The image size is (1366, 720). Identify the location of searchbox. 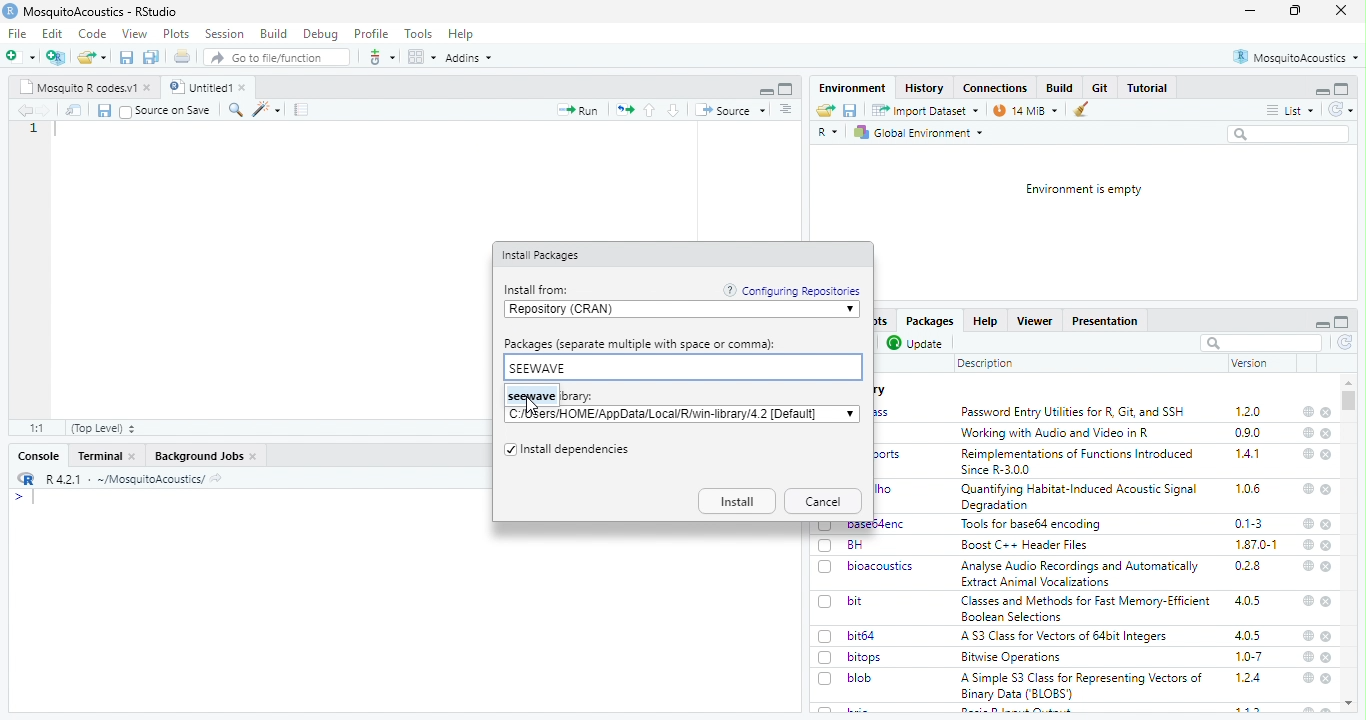
(1291, 135).